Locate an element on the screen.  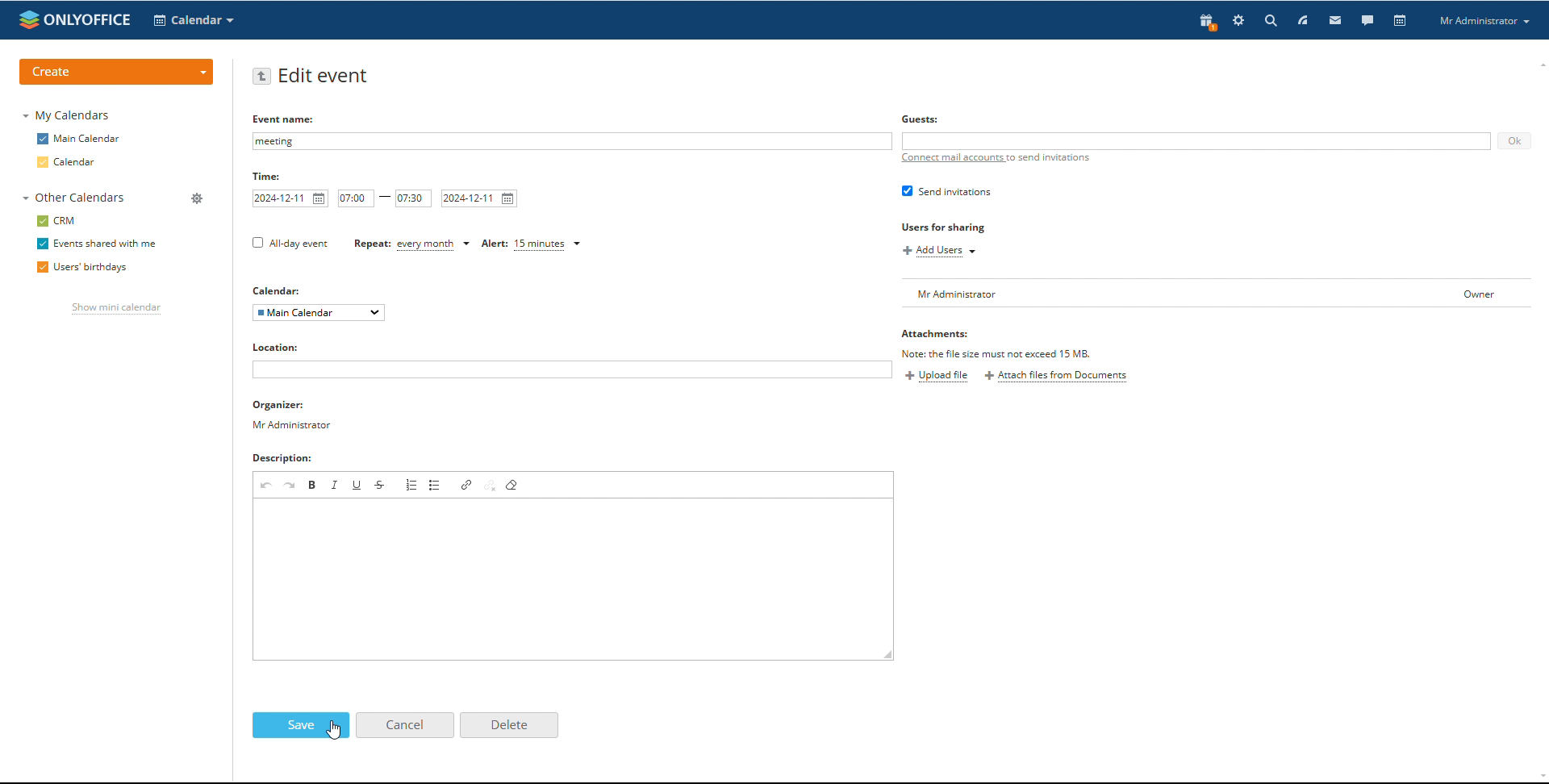
feed is located at coordinates (1303, 20).